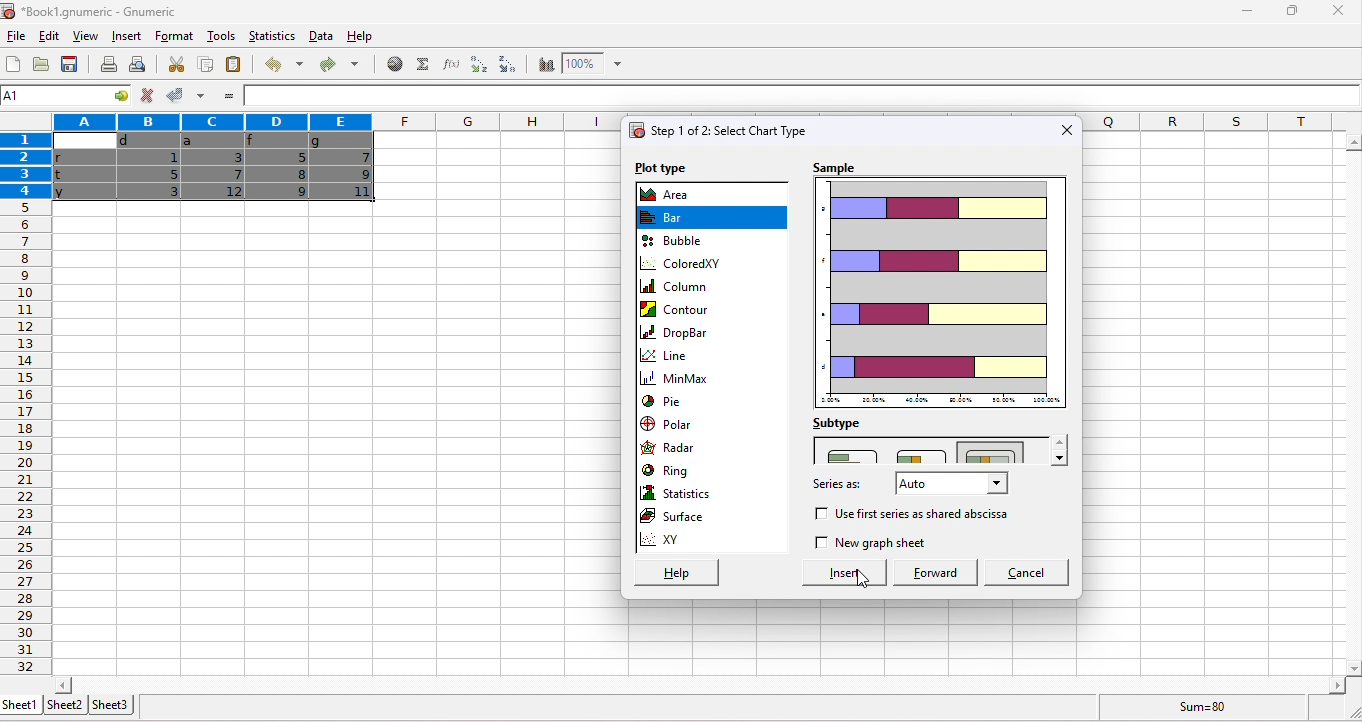 The width and height of the screenshot is (1362, 722). I want to click on help, so click(674, 573).